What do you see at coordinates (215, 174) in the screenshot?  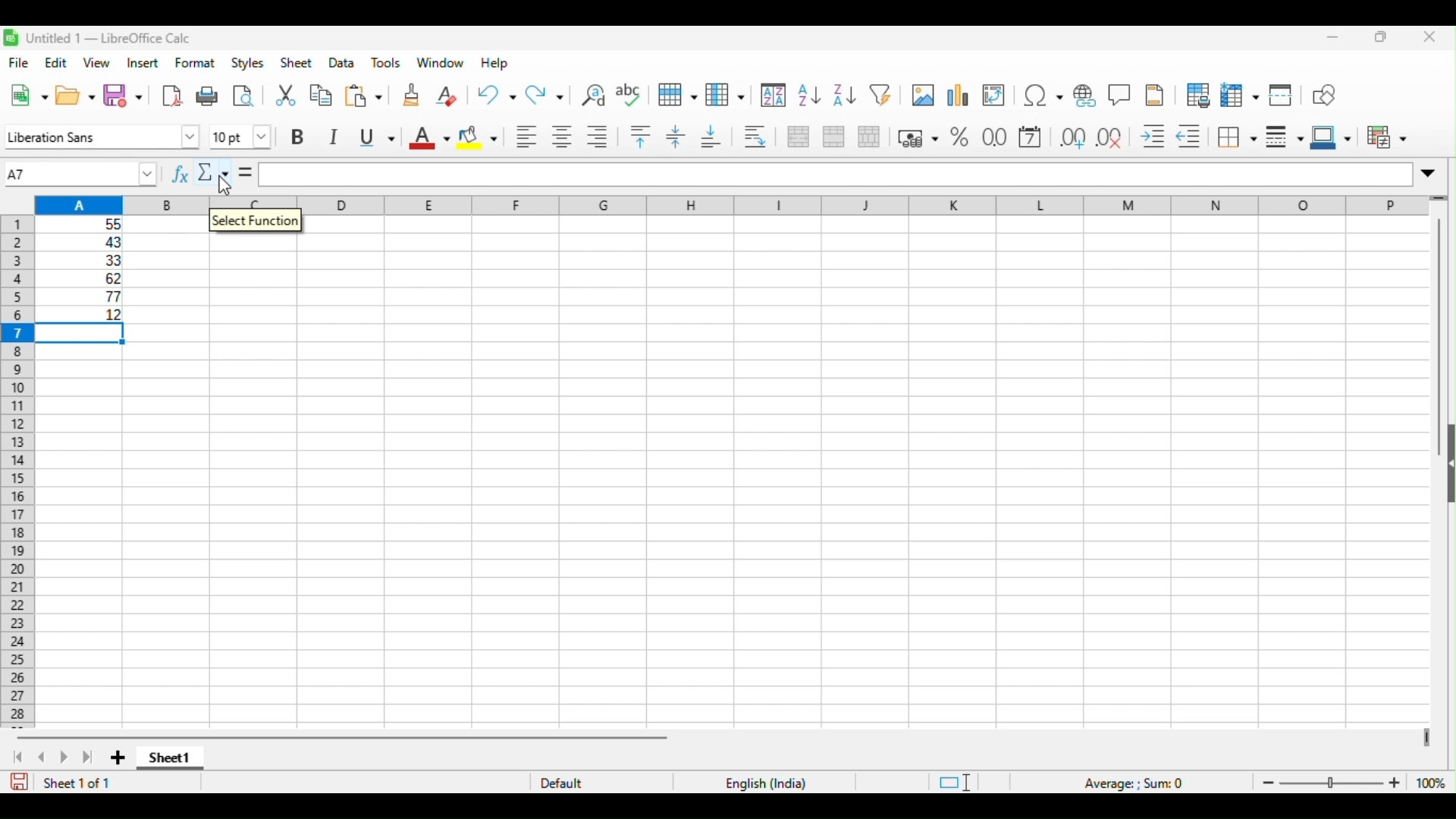 I see `select function` at bounding box center [215, 174].